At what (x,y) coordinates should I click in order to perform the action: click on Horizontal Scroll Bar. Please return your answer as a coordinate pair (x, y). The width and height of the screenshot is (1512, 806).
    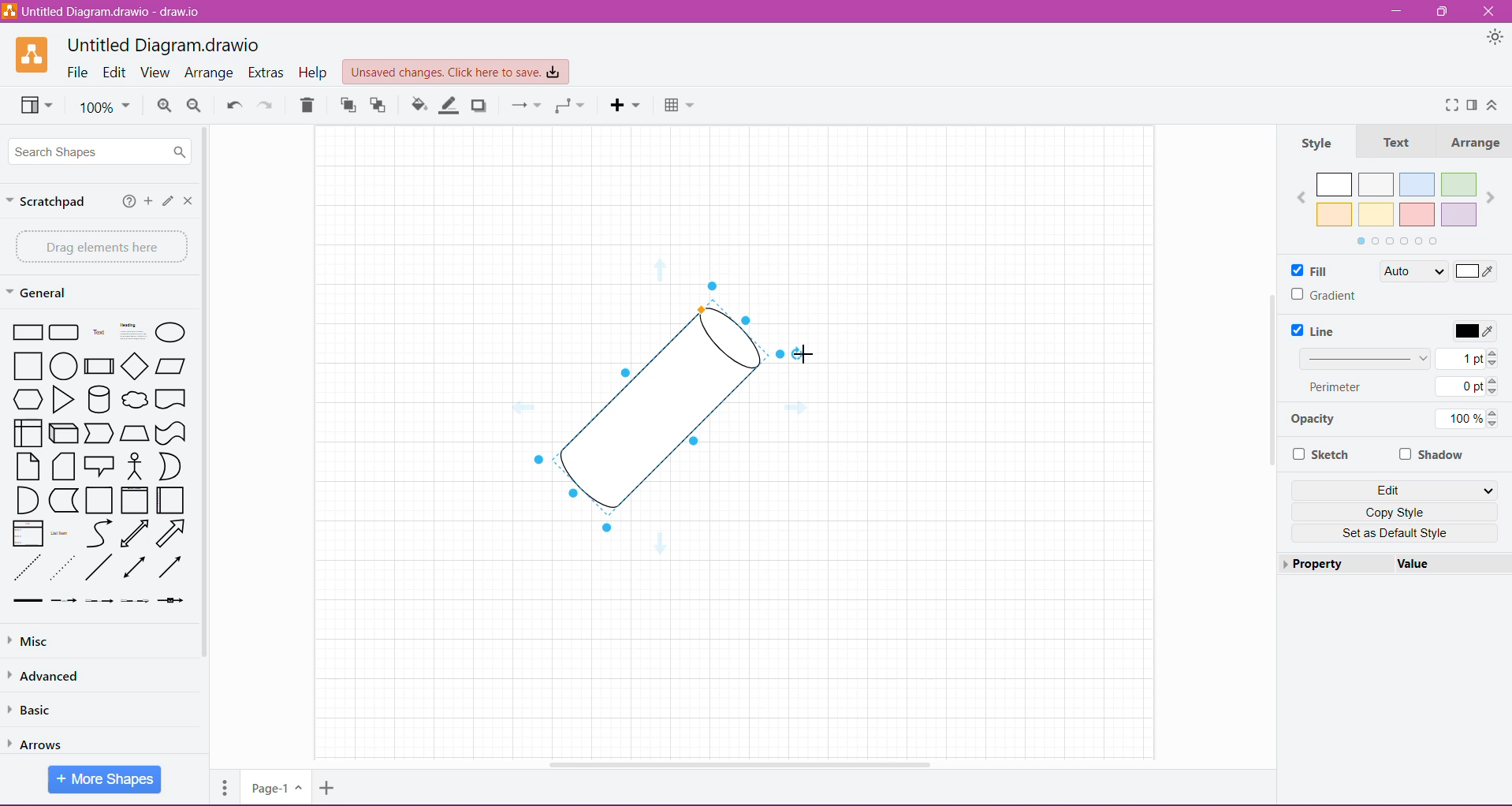
    Looking at the image, I should click on (744, 765).